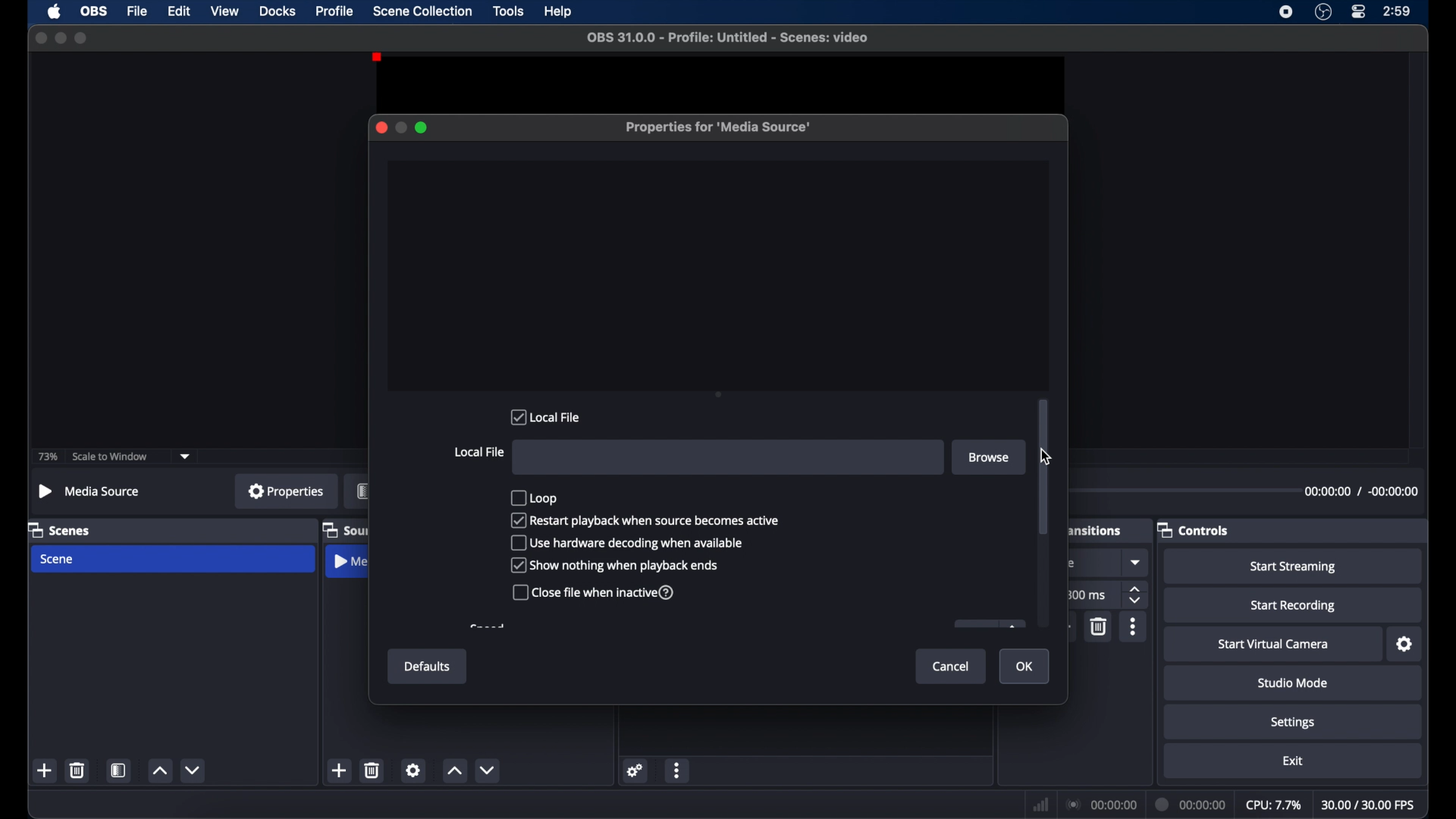 This screenshot has width=1456, height=819. What do you see at coordinates (58, 560) in the screenshot?
I see `scene` at bounding box center [58, 560].